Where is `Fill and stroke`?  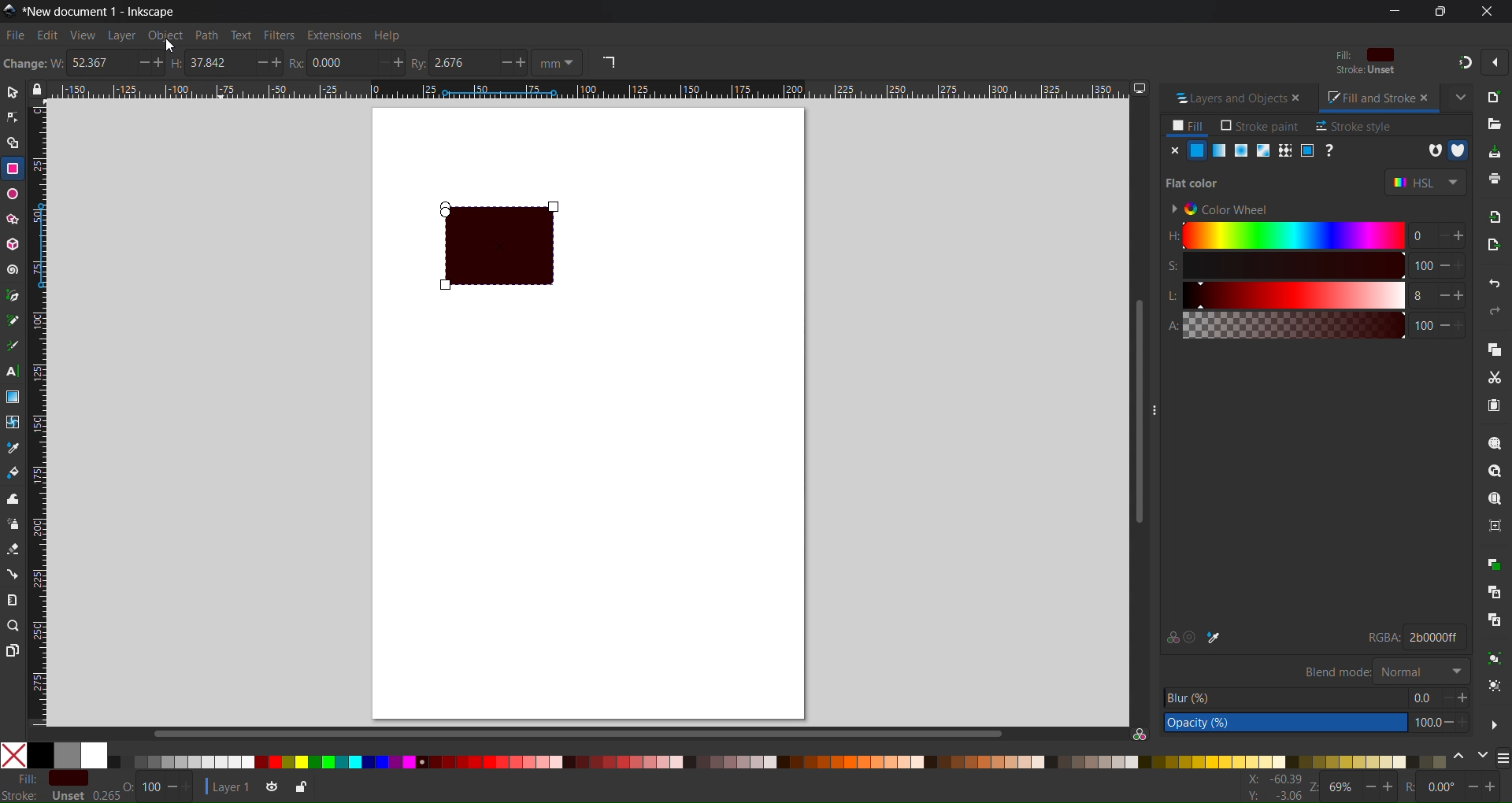 Fill and stroke is located at coordinates (1363, 98).